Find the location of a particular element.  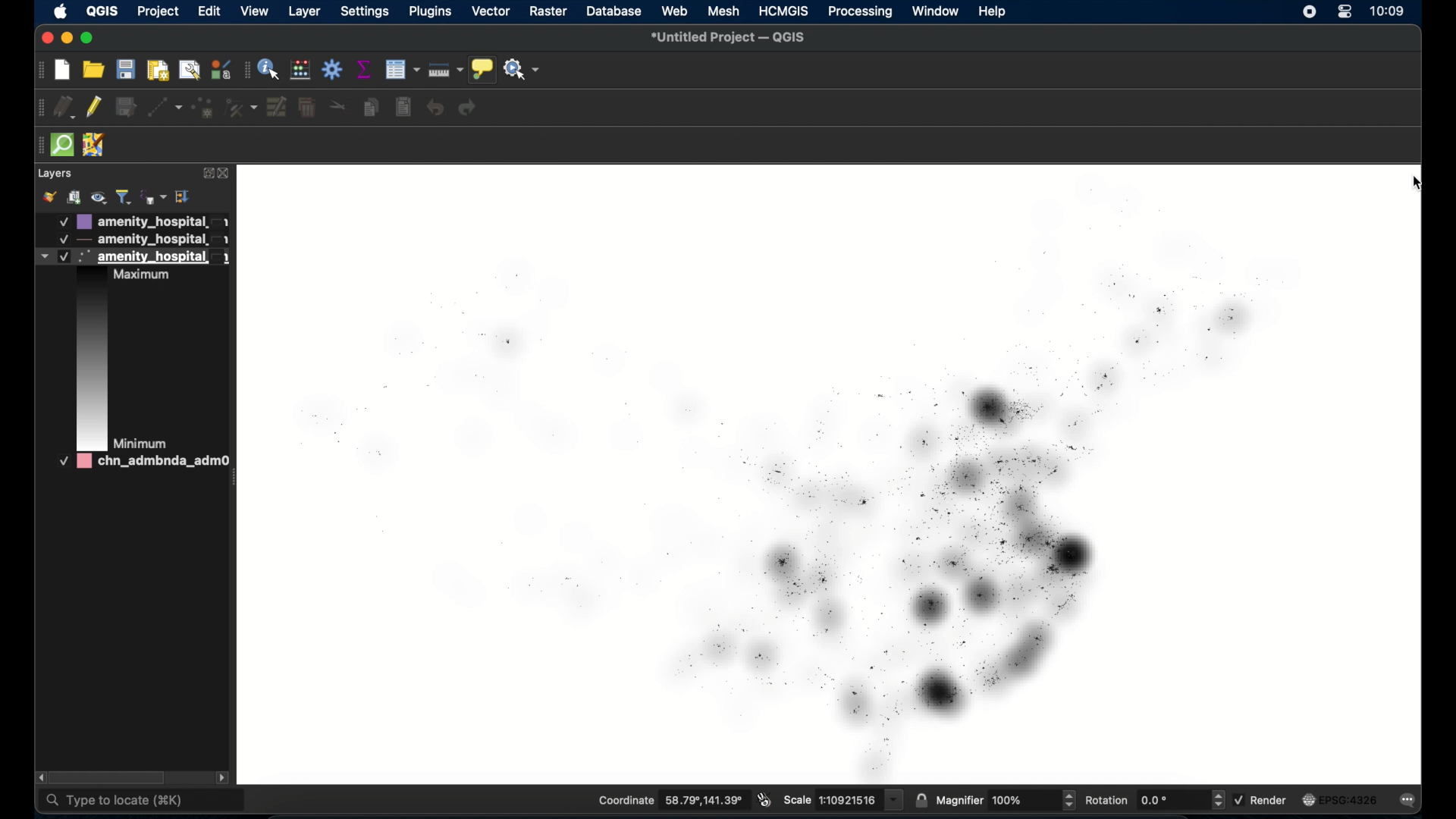

raster is located at coordinates (548, 11).